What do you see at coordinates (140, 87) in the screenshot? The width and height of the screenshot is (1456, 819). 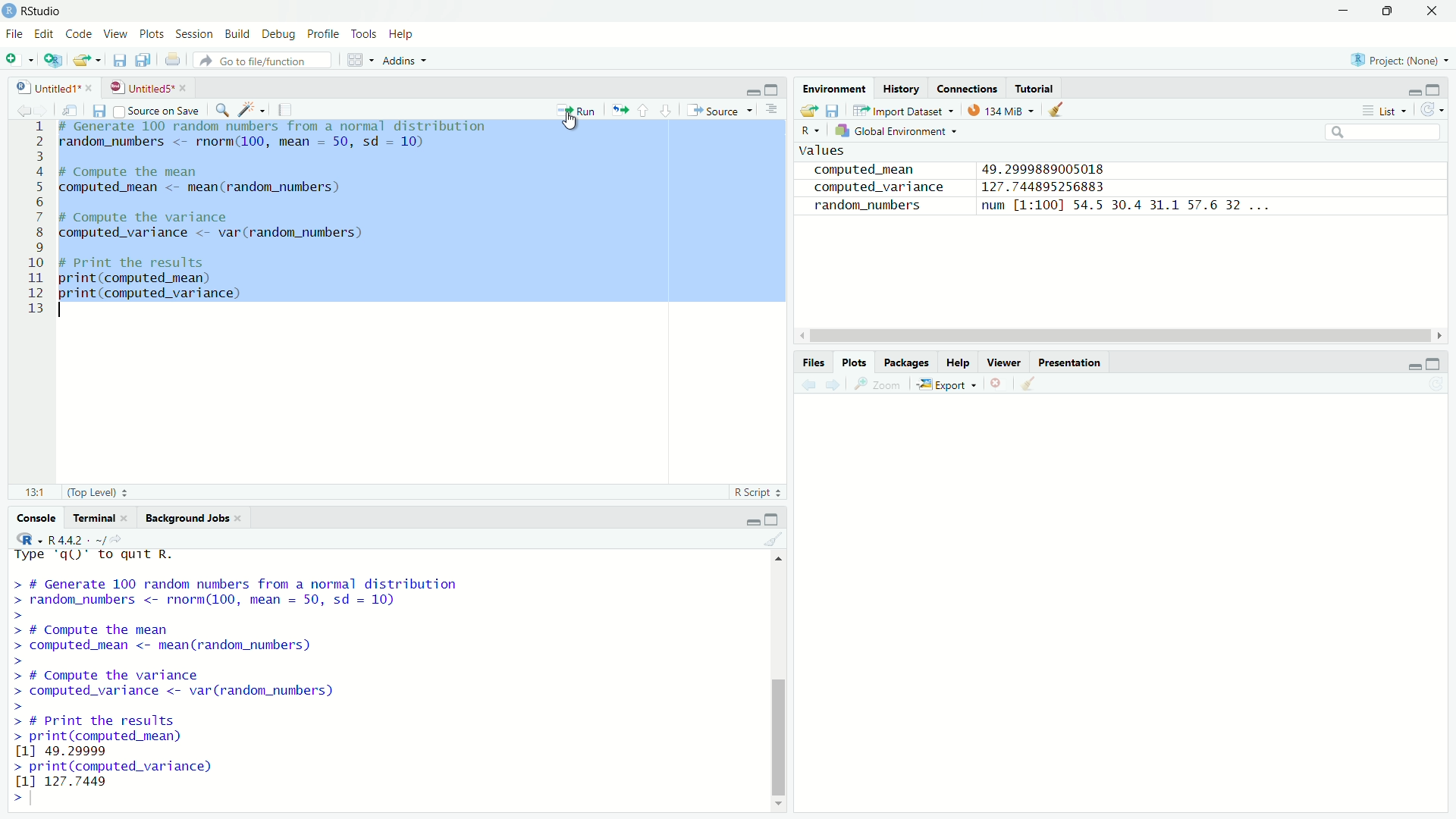 I see `untitled5` at bounding box center [140, 87].